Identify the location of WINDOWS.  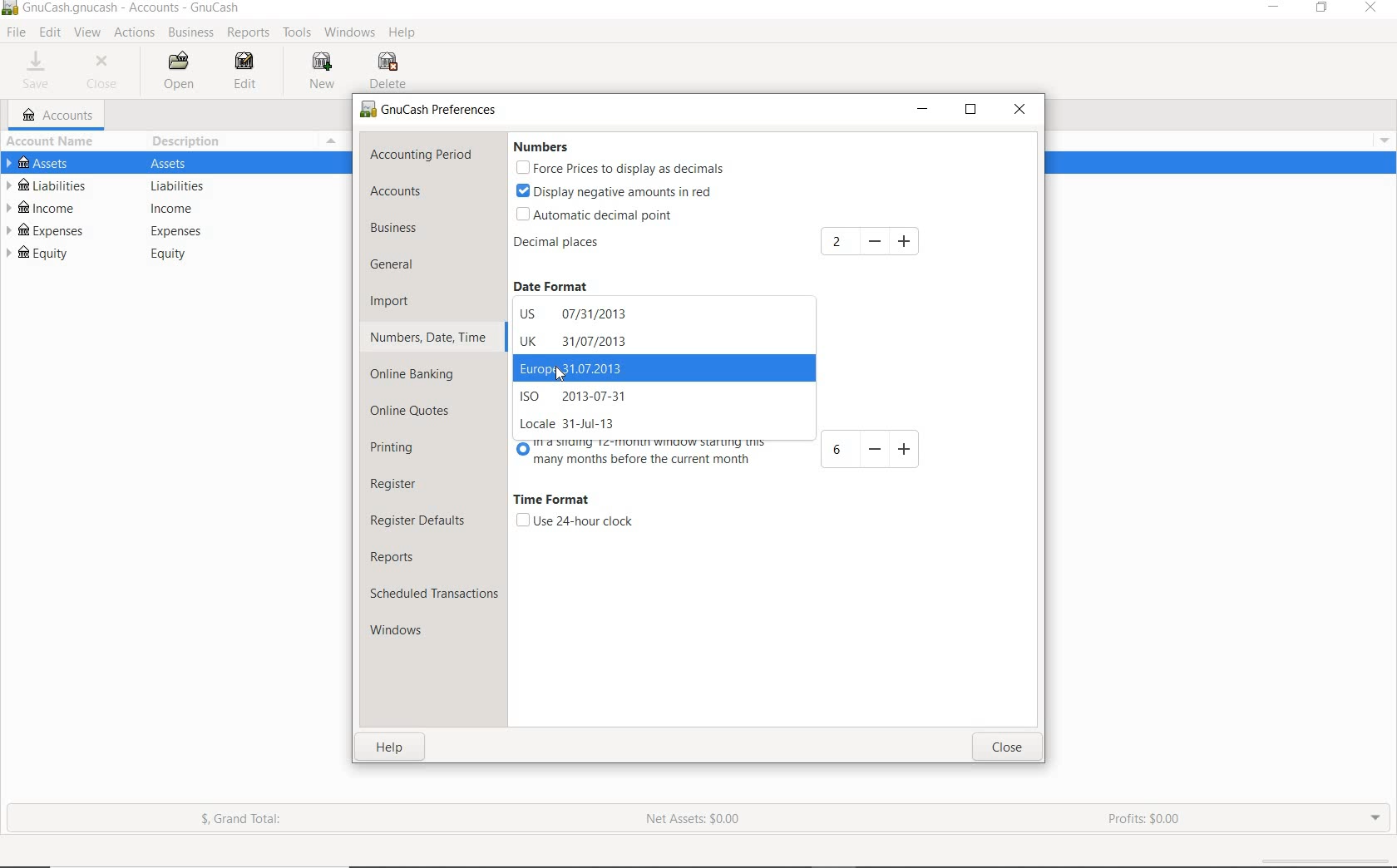
(353, 32).